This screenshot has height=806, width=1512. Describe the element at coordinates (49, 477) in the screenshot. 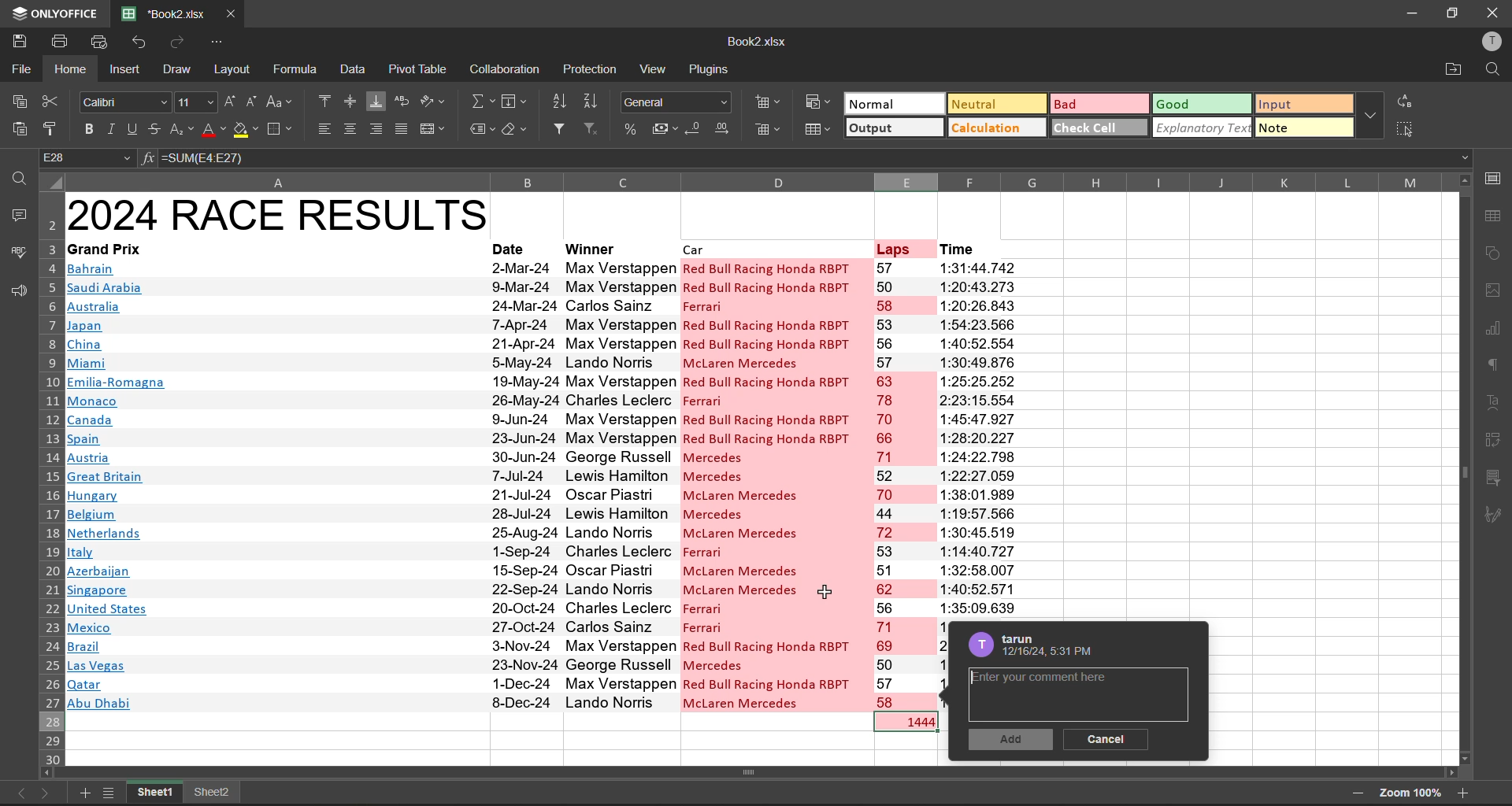

I see `row number` at that location.